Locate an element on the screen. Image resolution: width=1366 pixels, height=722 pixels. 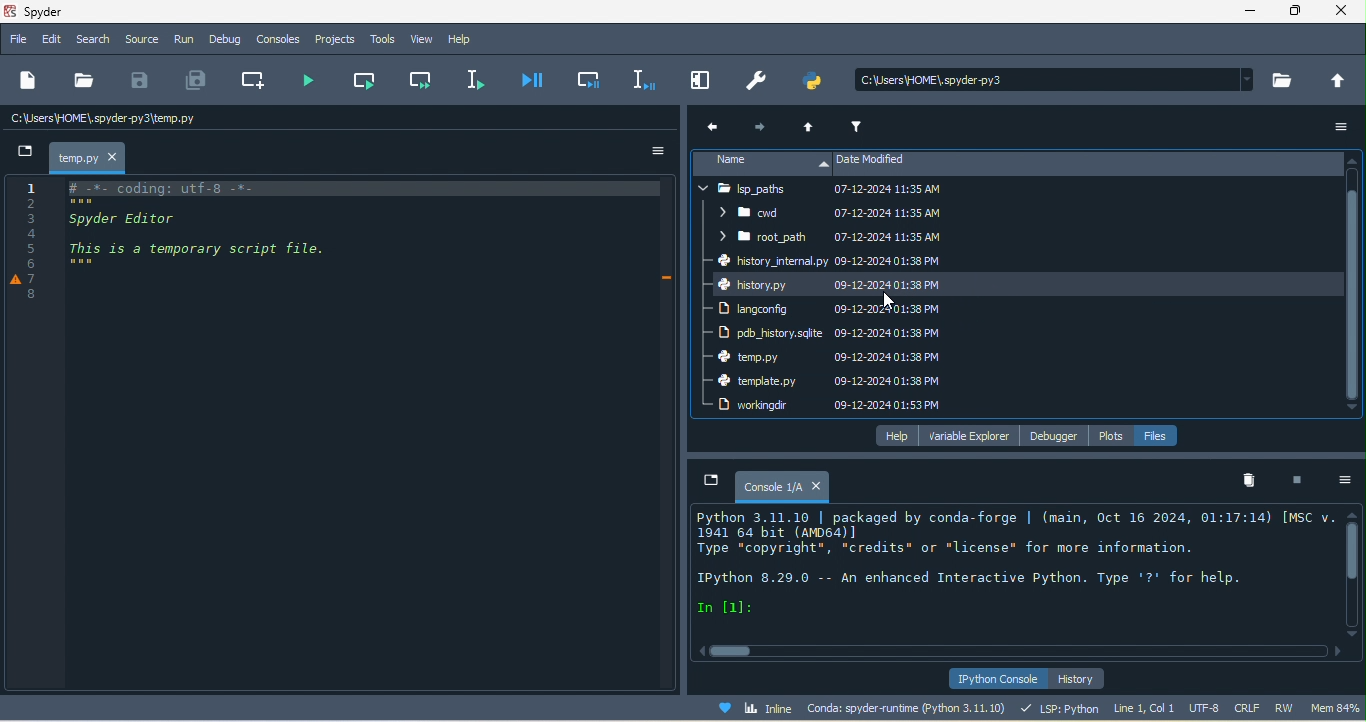
open is located at coordinates (90, 81).